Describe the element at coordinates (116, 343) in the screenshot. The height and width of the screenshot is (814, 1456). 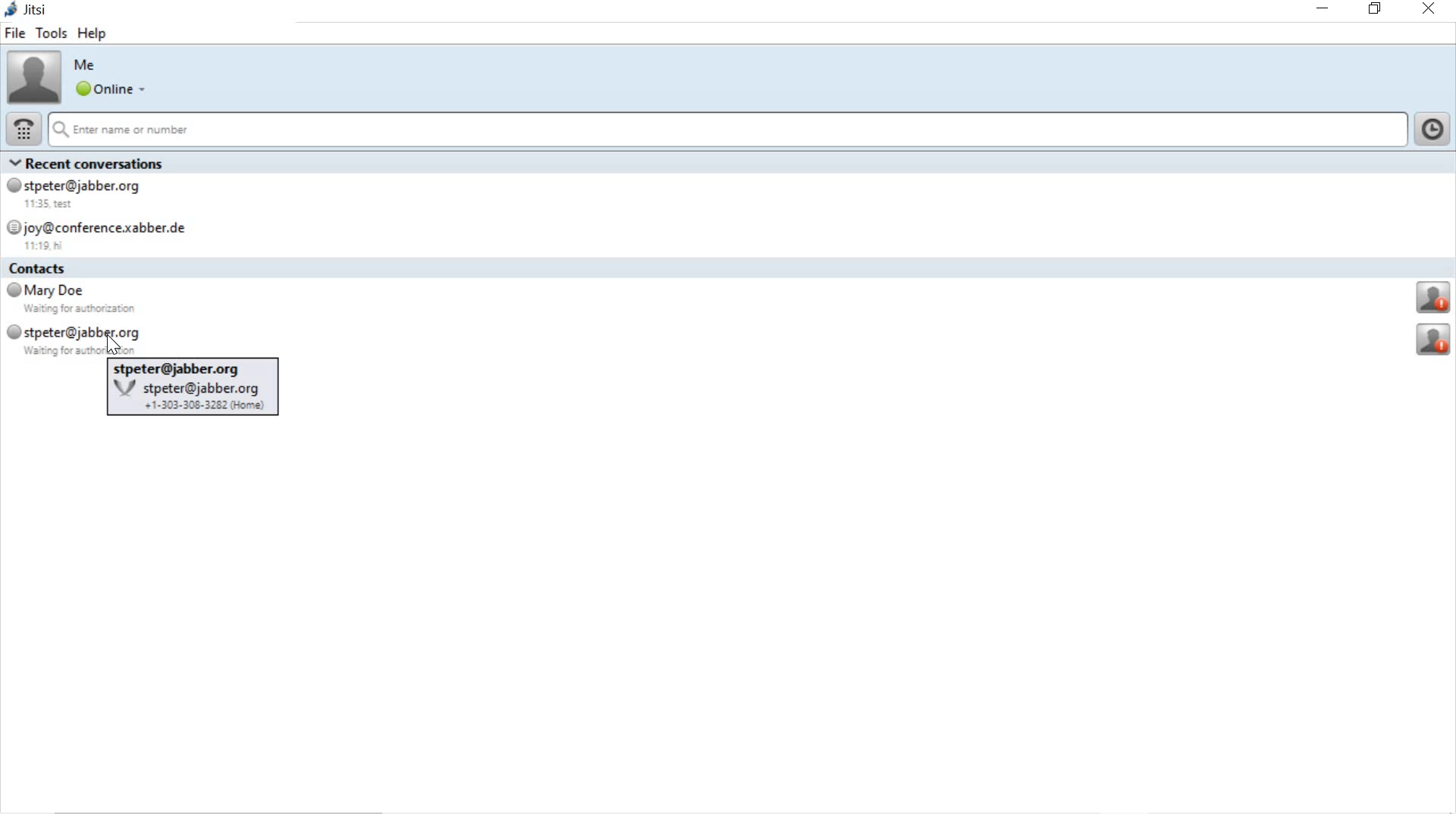
I see `cursor` at that location.